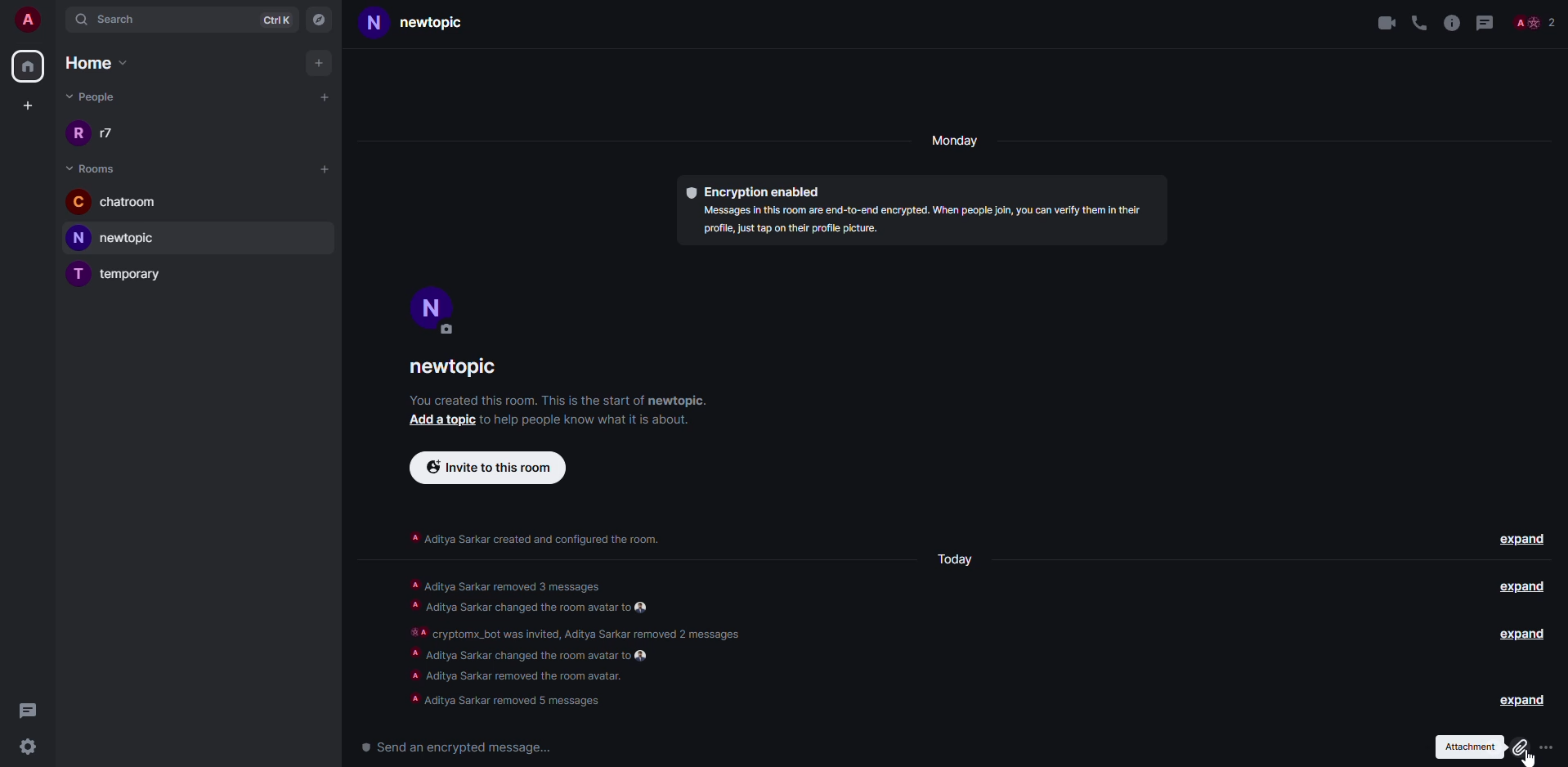 The image size is (1568, 767). What do you see at coordinates (96, 97) in the screenshot?
I see `people` at bounding box center [96, 97].